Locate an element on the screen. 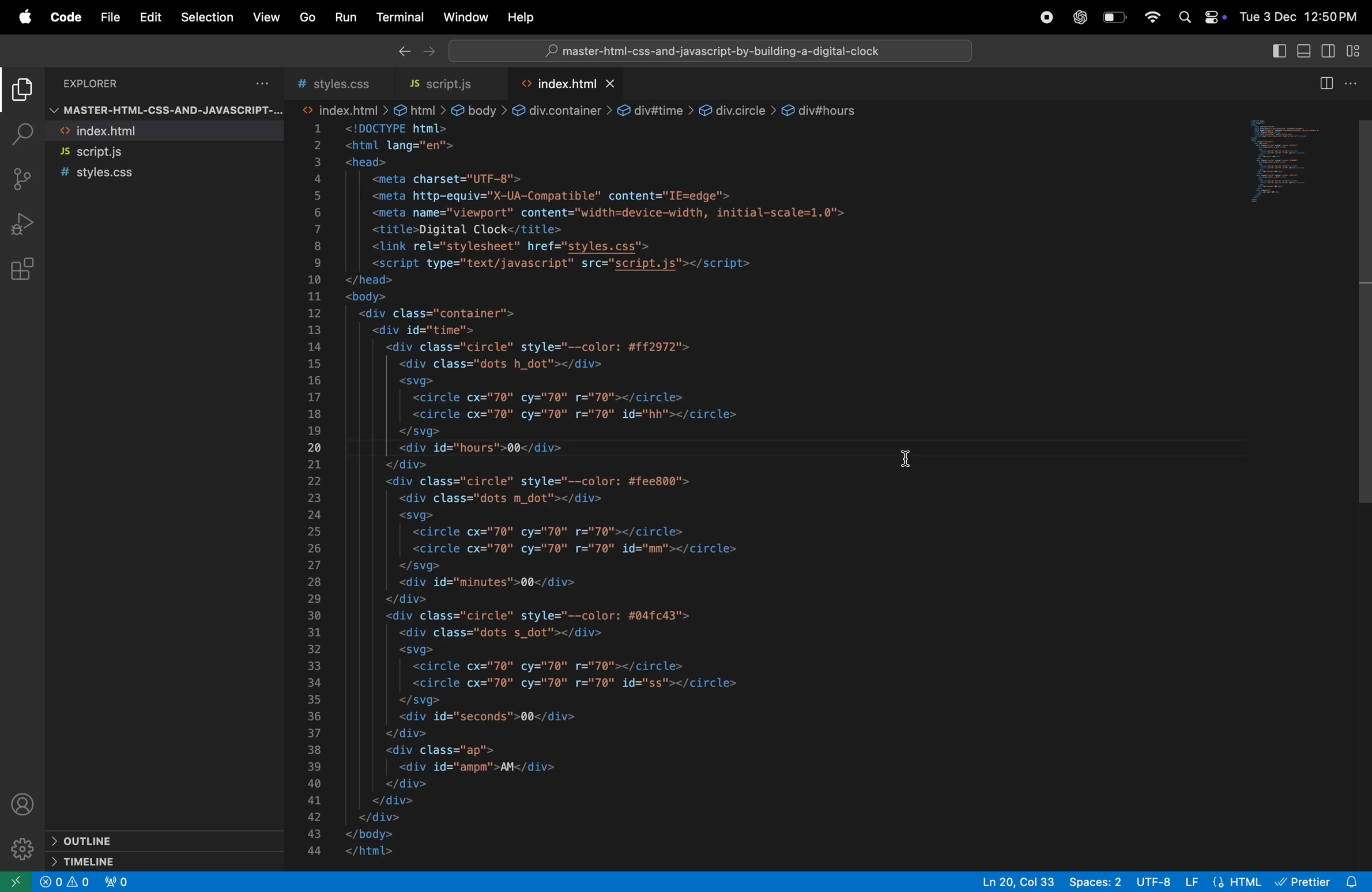  utf 8 is located at coordinates (1132, 882).